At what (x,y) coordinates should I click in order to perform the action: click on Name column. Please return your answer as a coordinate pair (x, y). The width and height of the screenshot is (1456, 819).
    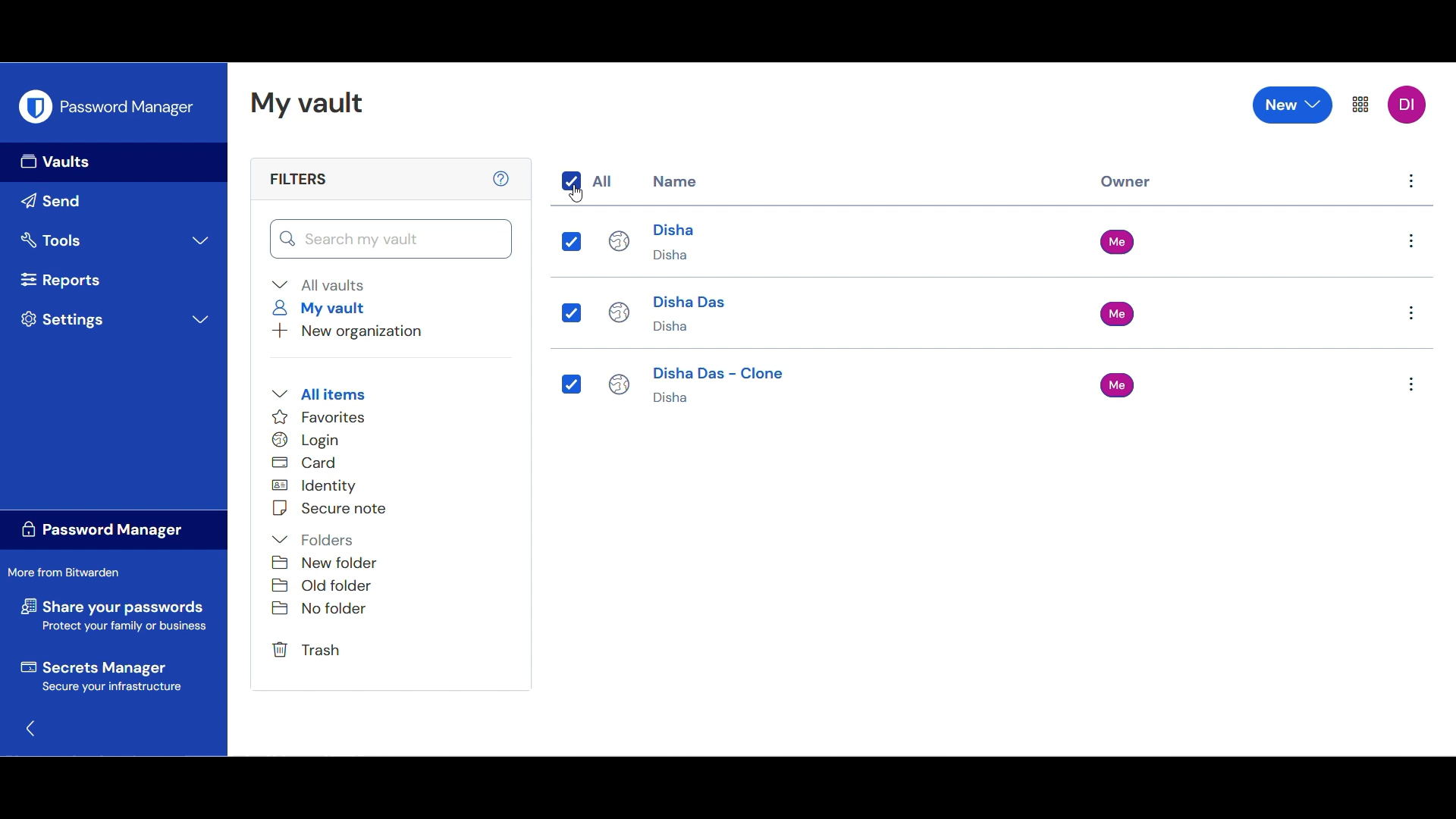
    Looking at the image, I should click on (675, 180).